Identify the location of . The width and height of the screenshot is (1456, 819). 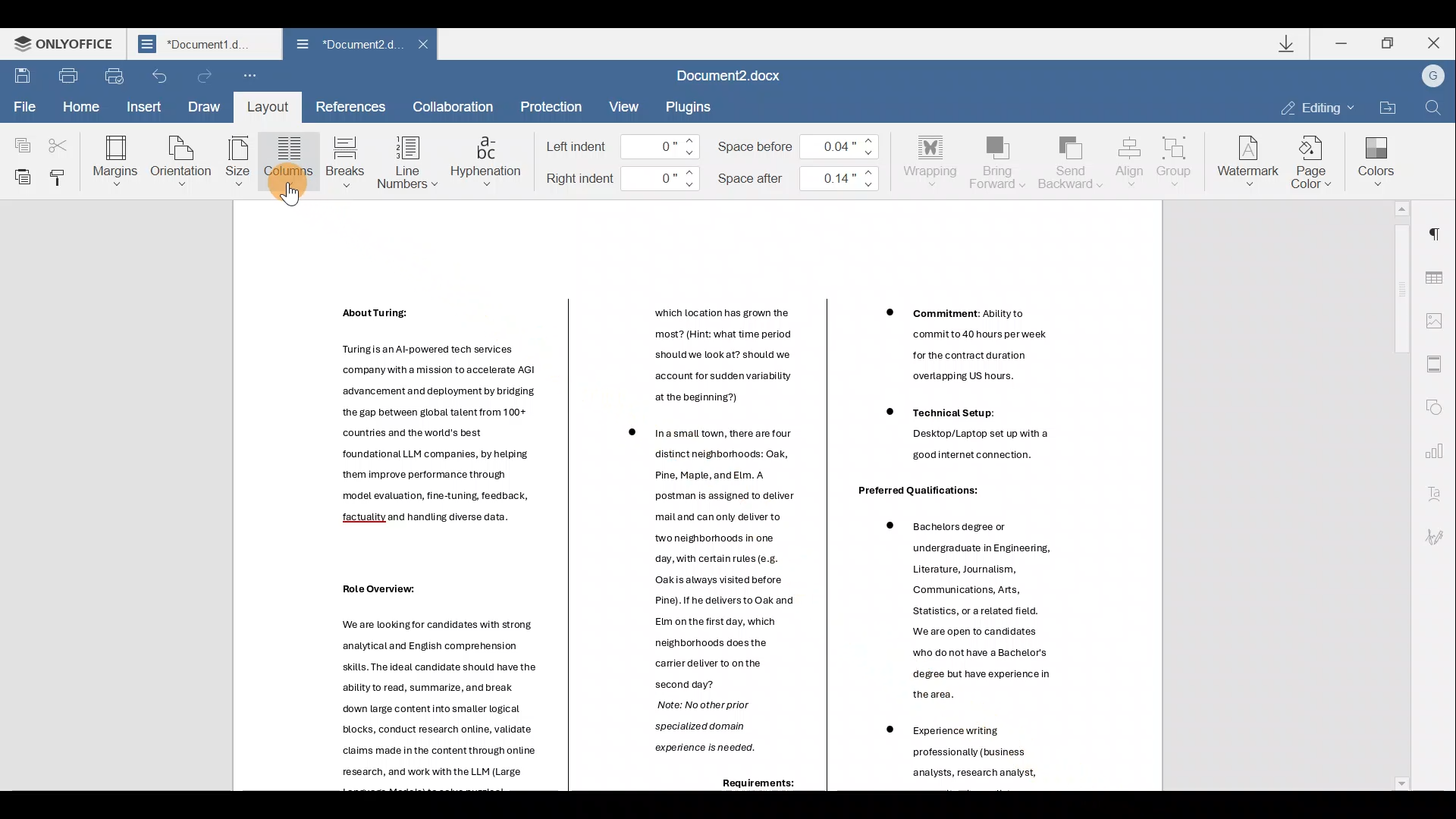
(426, 702).